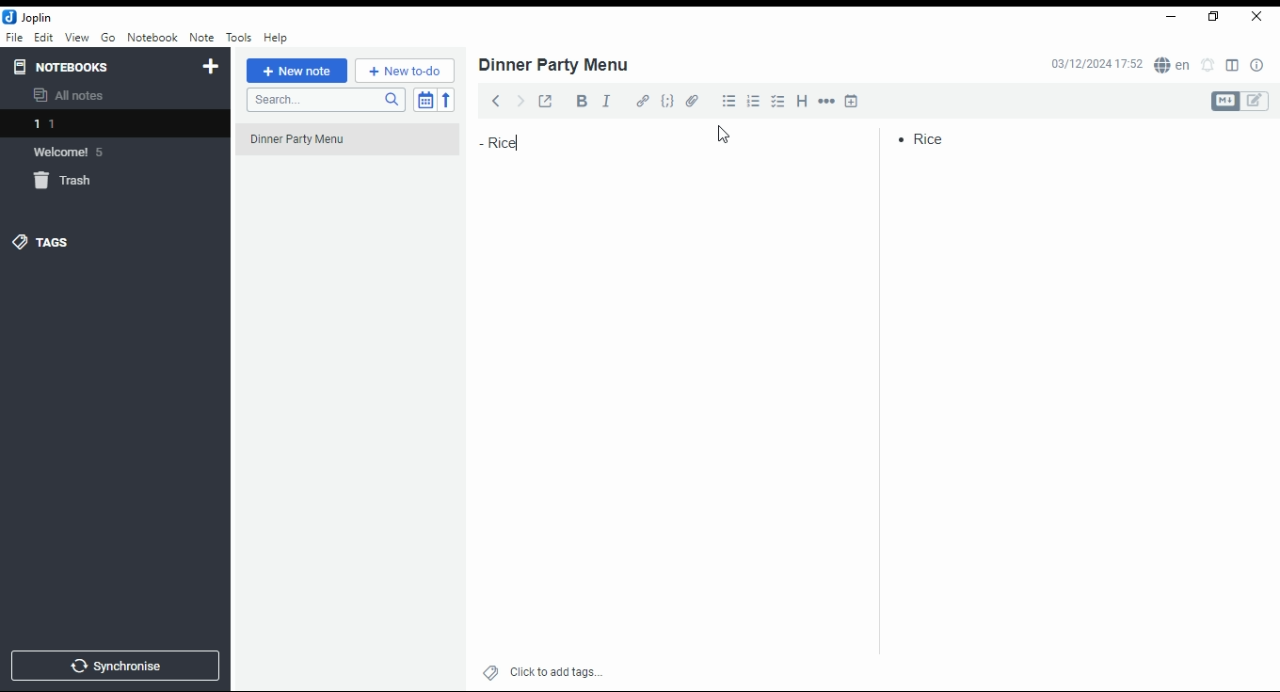  What do you see at coordinates (238, 36) in the screenshot?
I see `tools` at bounding box center [238, 36].